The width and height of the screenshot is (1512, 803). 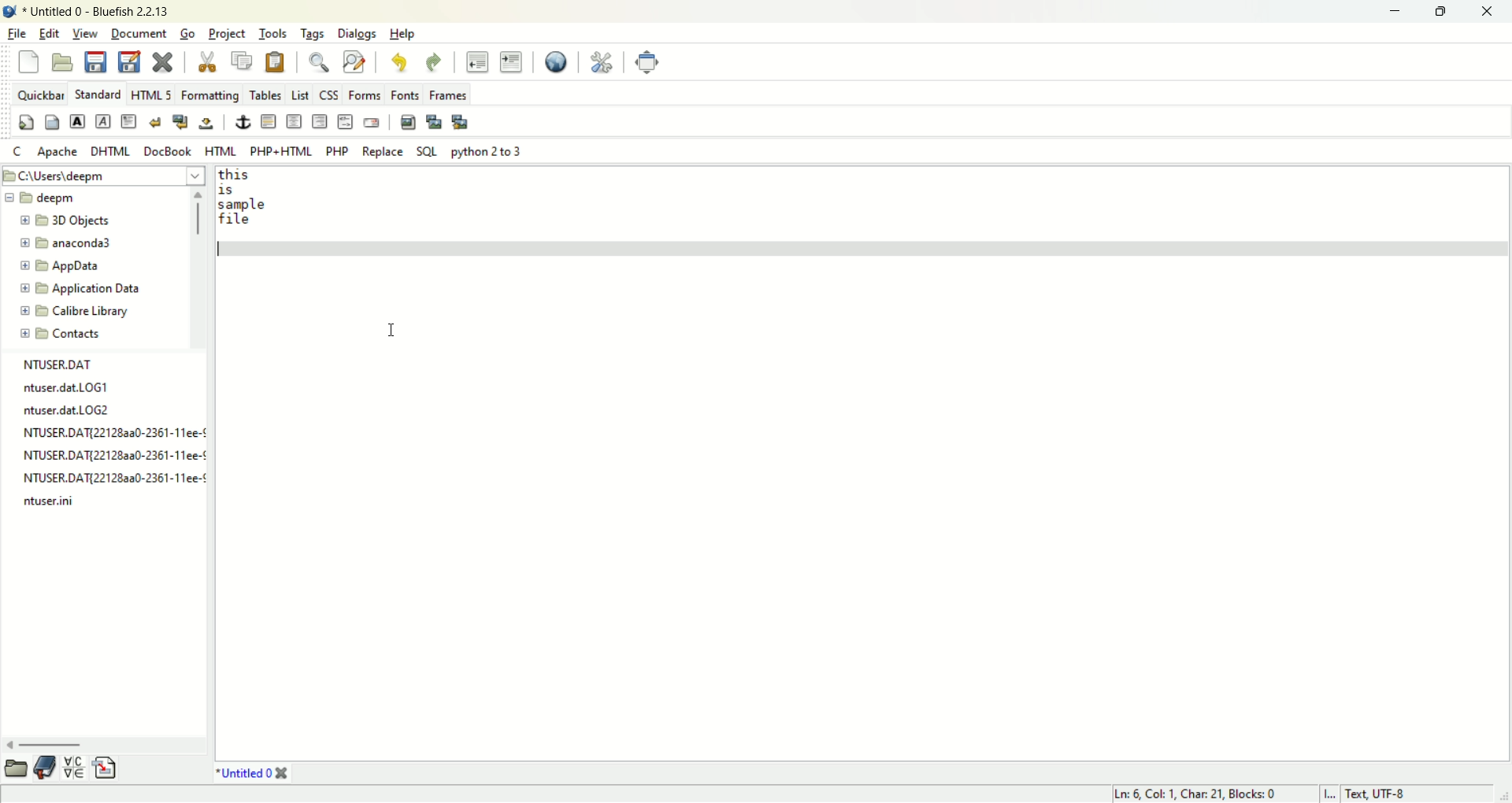 What do you see at coordinates (28, 61) in the screenshot?
I see `new` at bounding box center [28, 61].